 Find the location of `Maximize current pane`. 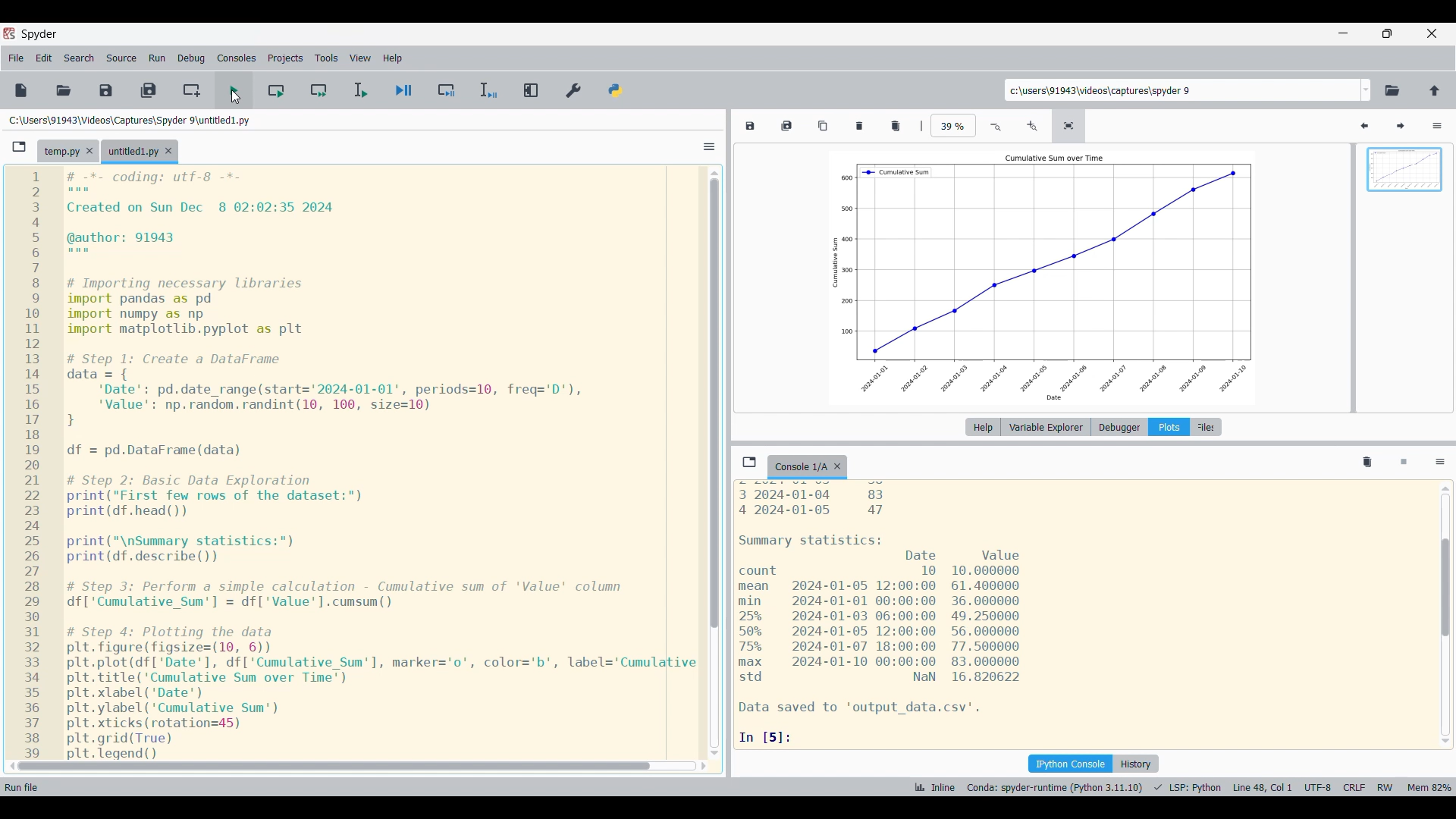

Maximize current pane is located at coordinates (530, 90).